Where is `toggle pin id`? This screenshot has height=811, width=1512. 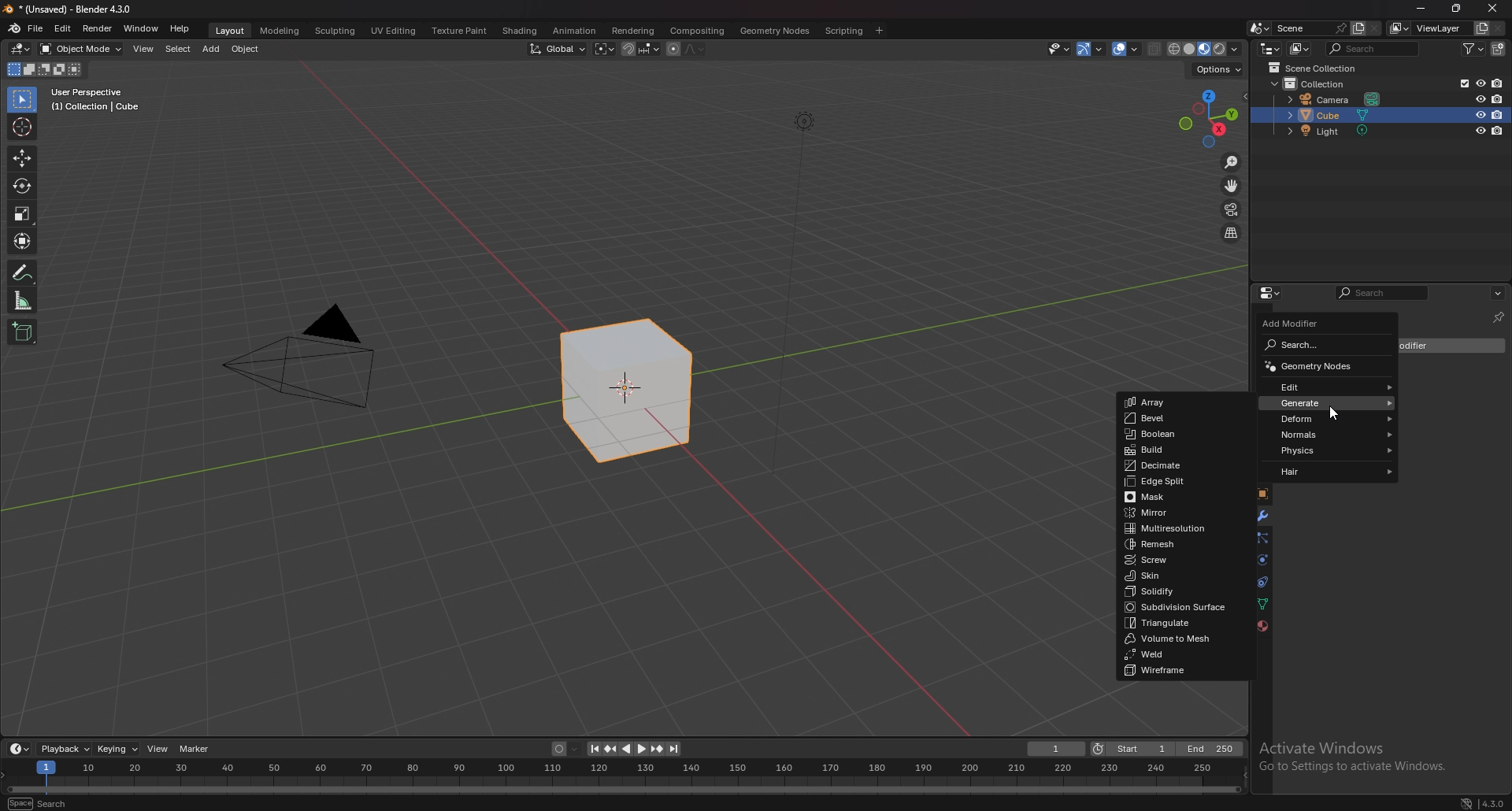
toggle pin id is located at coordinates (1499, 317).